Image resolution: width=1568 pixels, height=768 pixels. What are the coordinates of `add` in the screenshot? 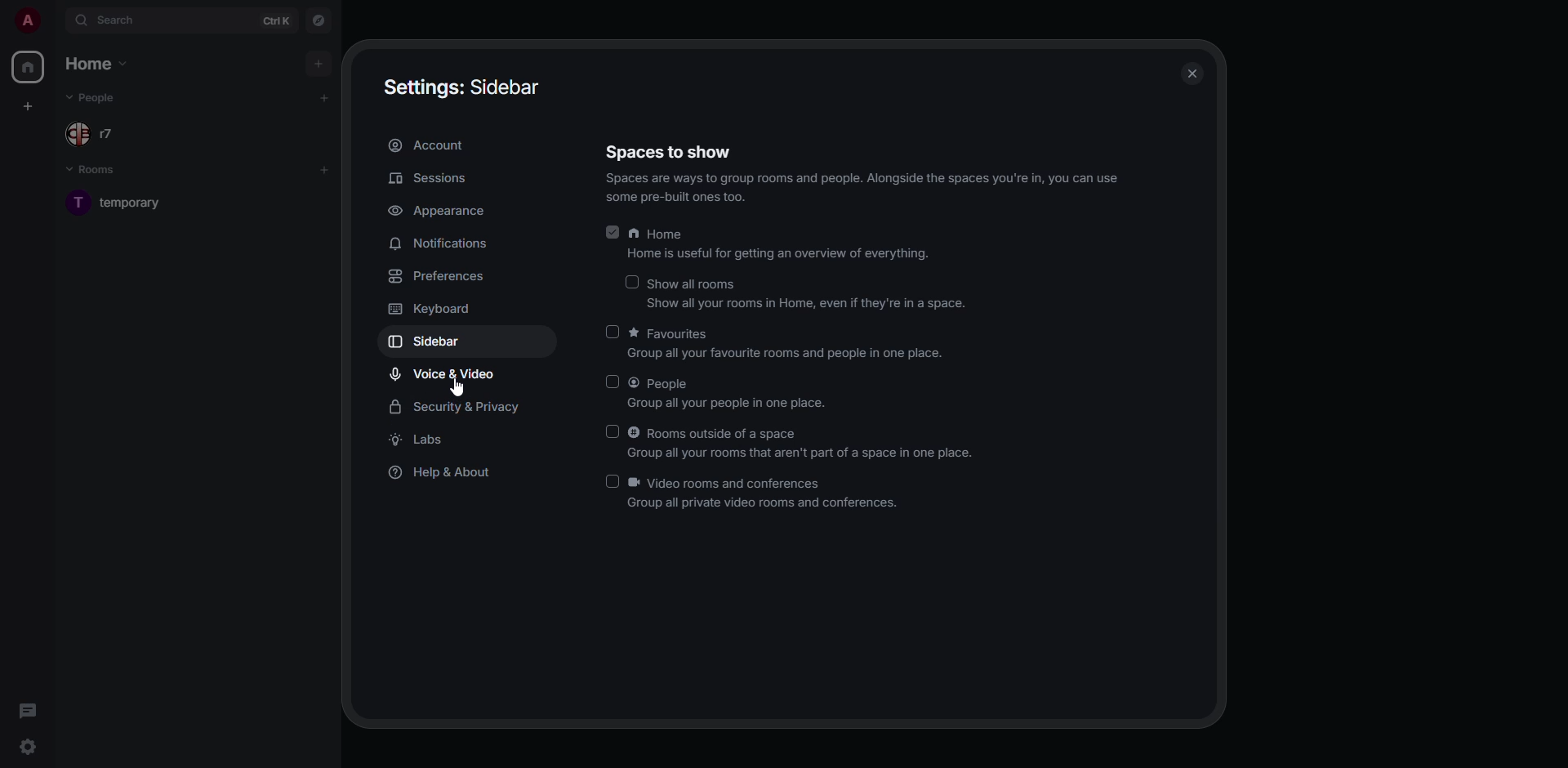 It's located at (326, 167).